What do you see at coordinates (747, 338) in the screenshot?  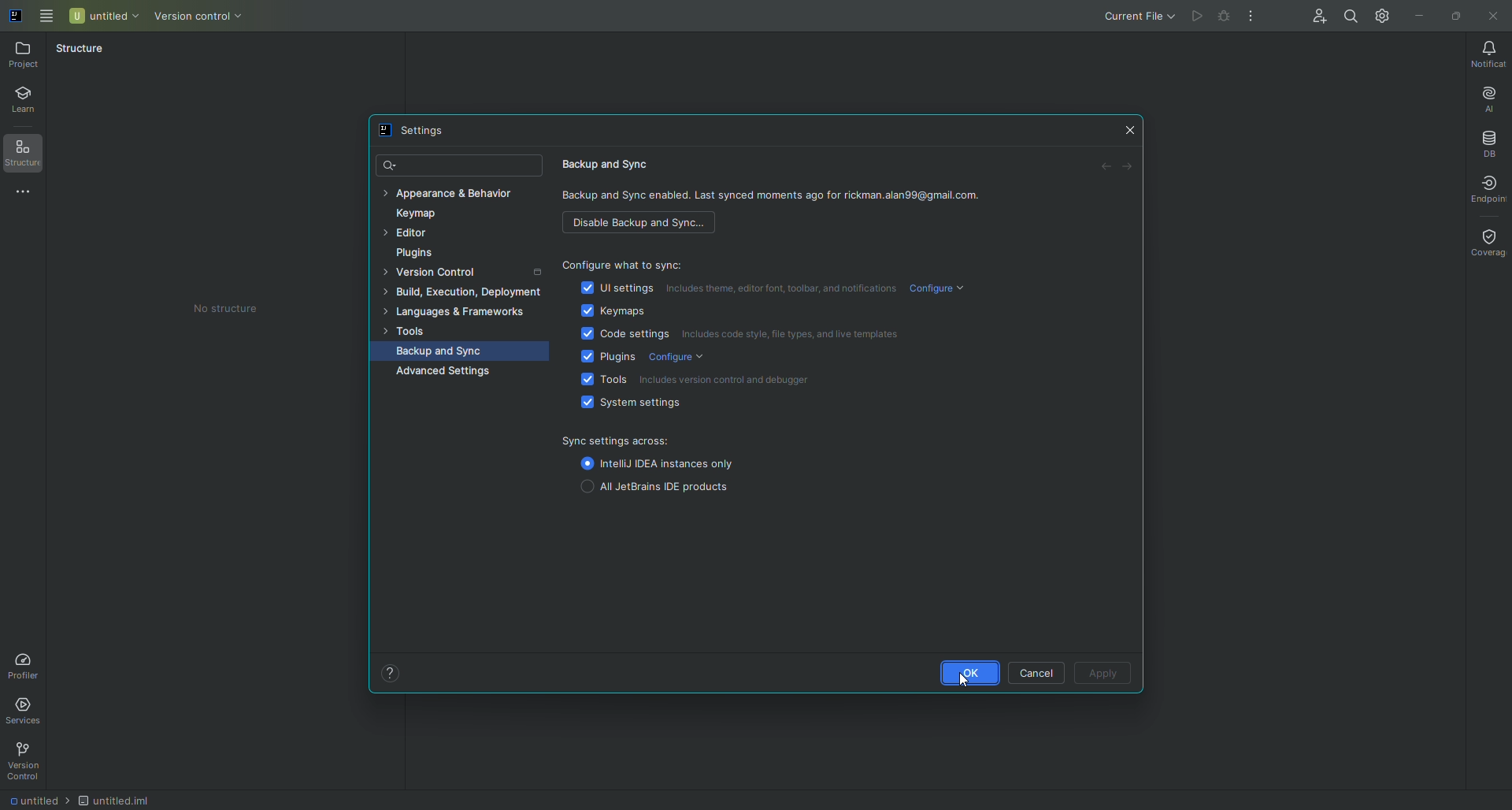 I see `Code settings Includes code style, file types, and live templates` at bounding box center [747, 338].